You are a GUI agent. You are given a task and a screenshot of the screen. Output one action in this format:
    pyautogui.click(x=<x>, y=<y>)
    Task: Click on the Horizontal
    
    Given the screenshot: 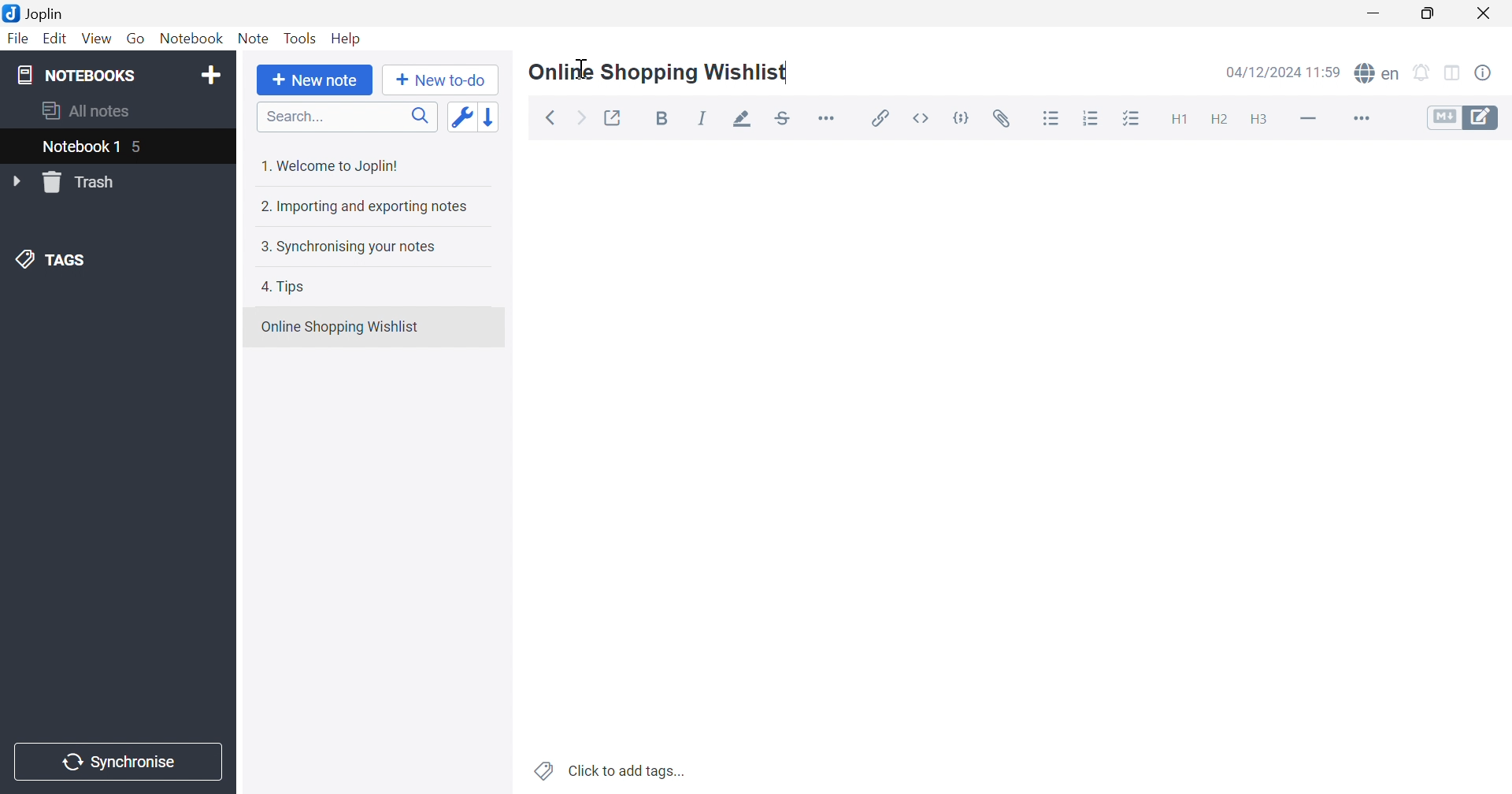 What is the action you would take?
    pyautogui.click(x=829, y=121)
    